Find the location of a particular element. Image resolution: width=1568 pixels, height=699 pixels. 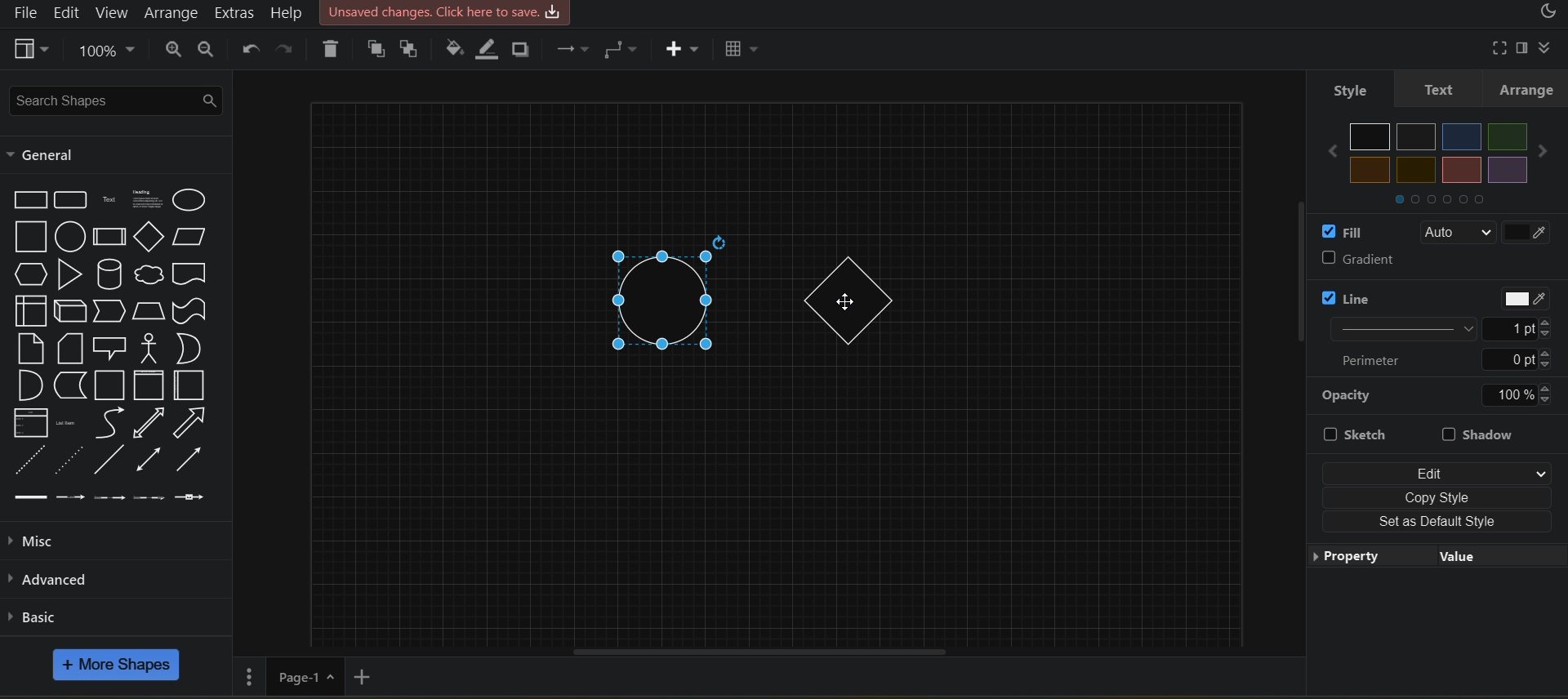

Bidirectional Connector is located at coordinates (149, 457).